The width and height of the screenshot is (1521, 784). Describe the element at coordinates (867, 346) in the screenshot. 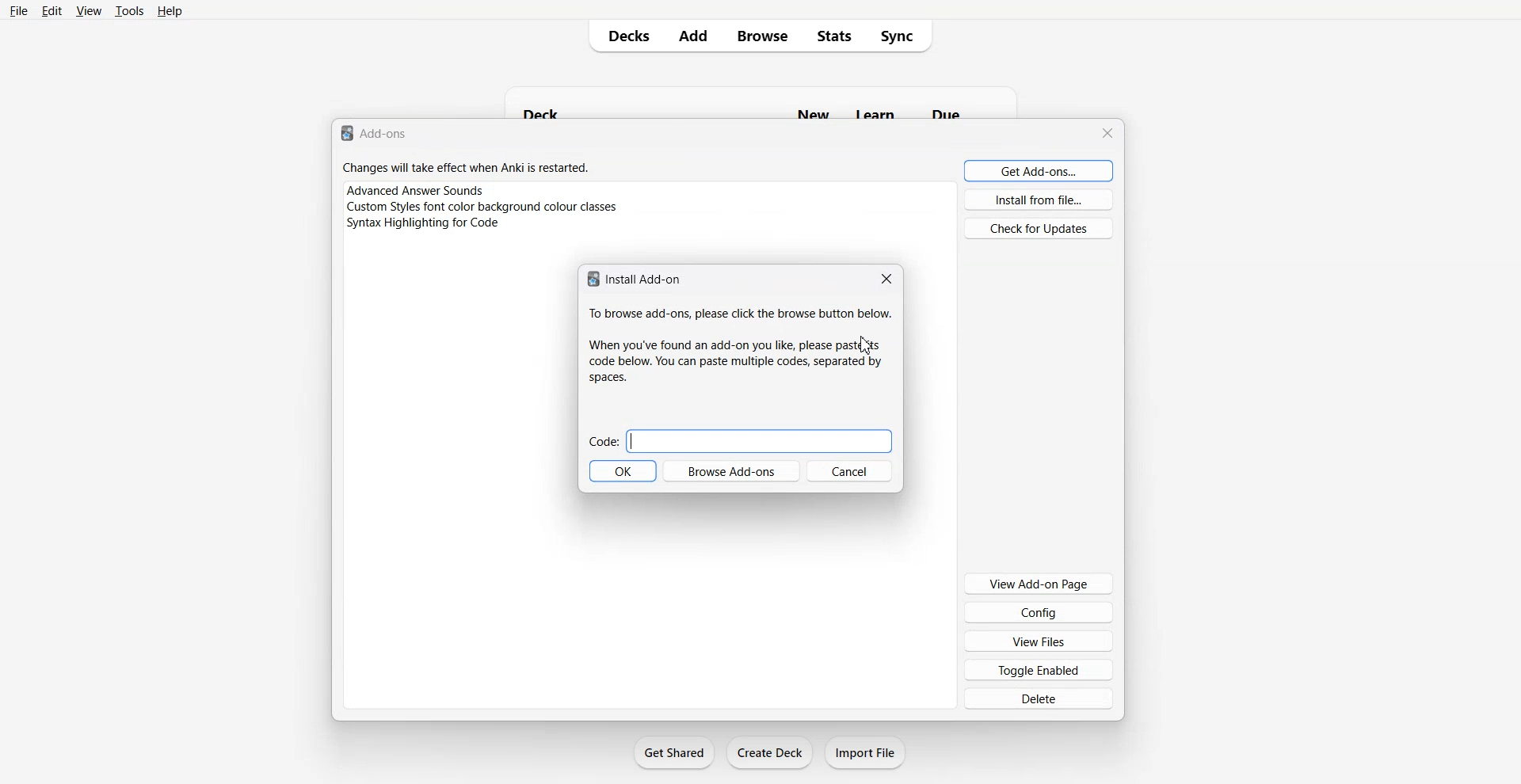

I see `Cursor` at that location.